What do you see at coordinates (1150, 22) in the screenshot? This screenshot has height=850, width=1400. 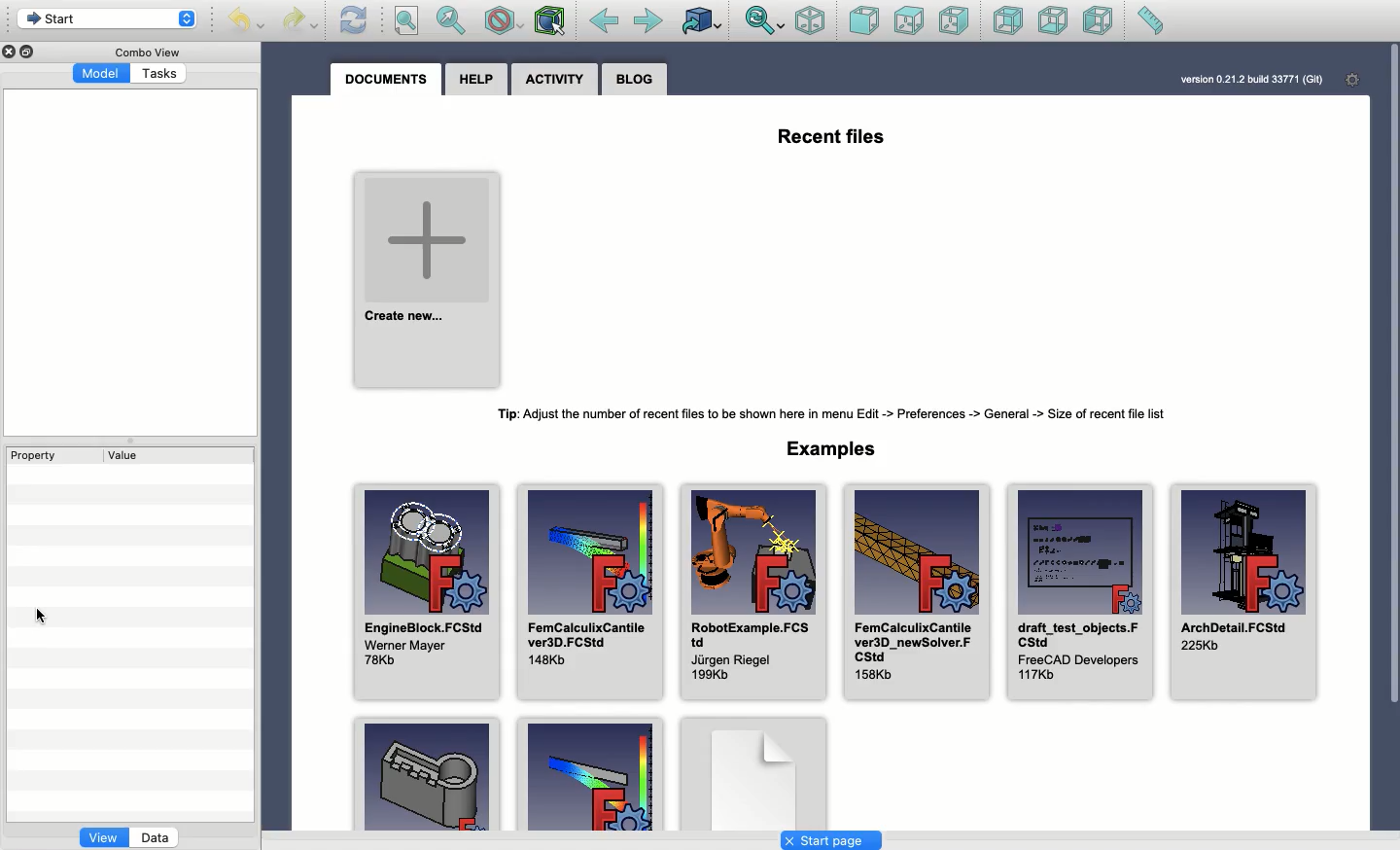 I see `Measure` at bounding box center [1150, 22].